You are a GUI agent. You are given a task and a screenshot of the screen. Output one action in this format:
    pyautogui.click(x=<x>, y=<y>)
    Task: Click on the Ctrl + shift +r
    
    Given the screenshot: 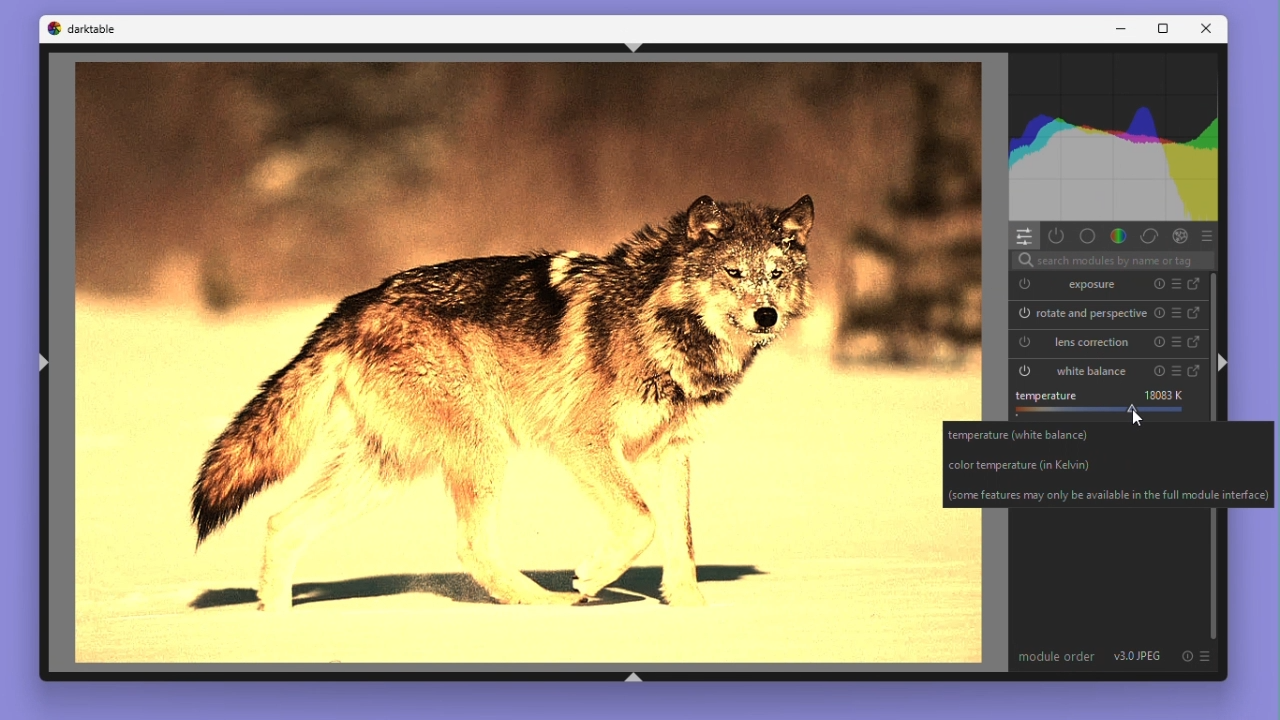 What is the action you would take?
    pyautogui.click(x=1222, y=361)
    